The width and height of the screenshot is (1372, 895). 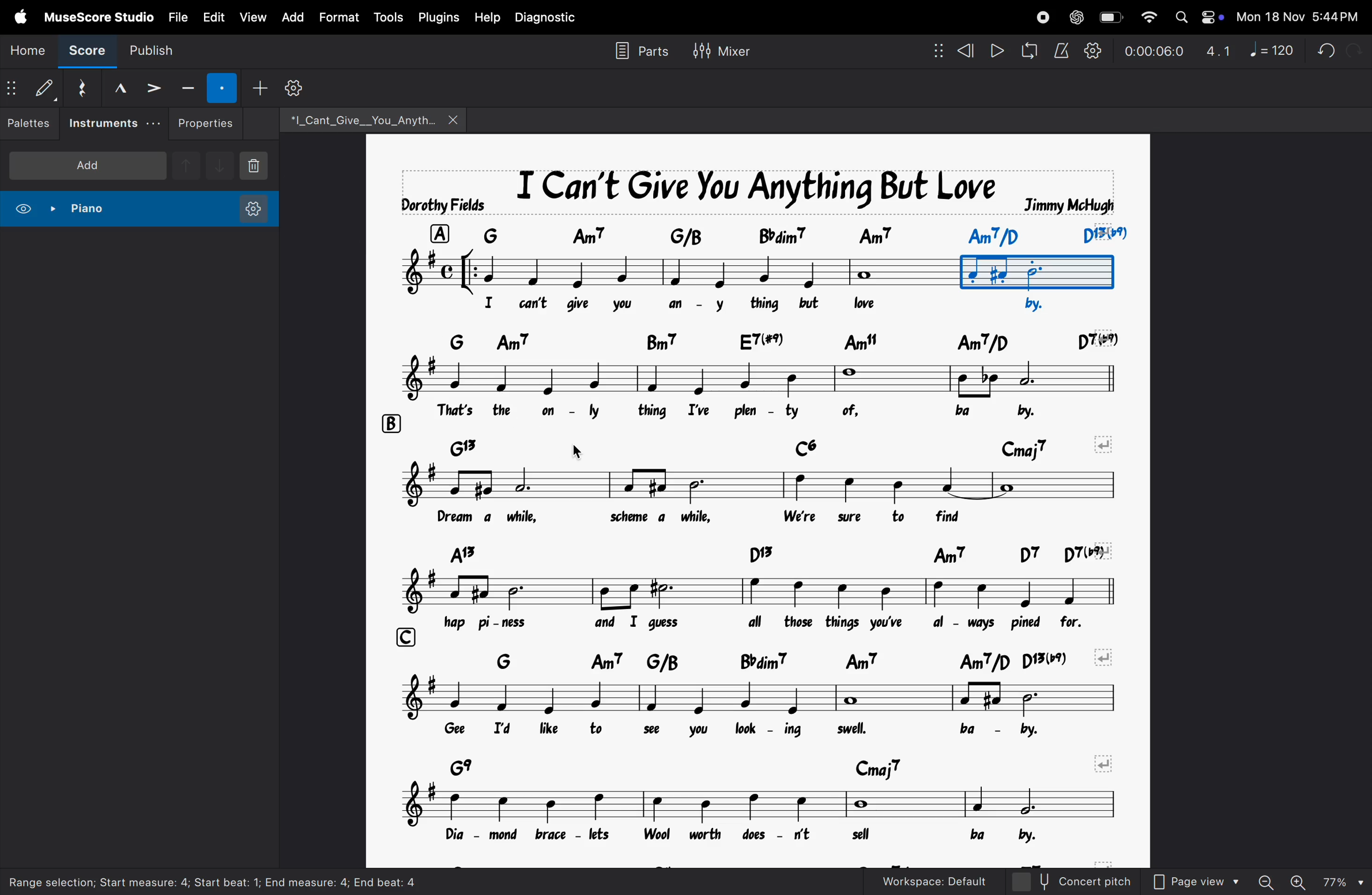 What do you see at coordinates (253, 167) in the screenshot?
I see `delete` at bounding box center [253, 167].